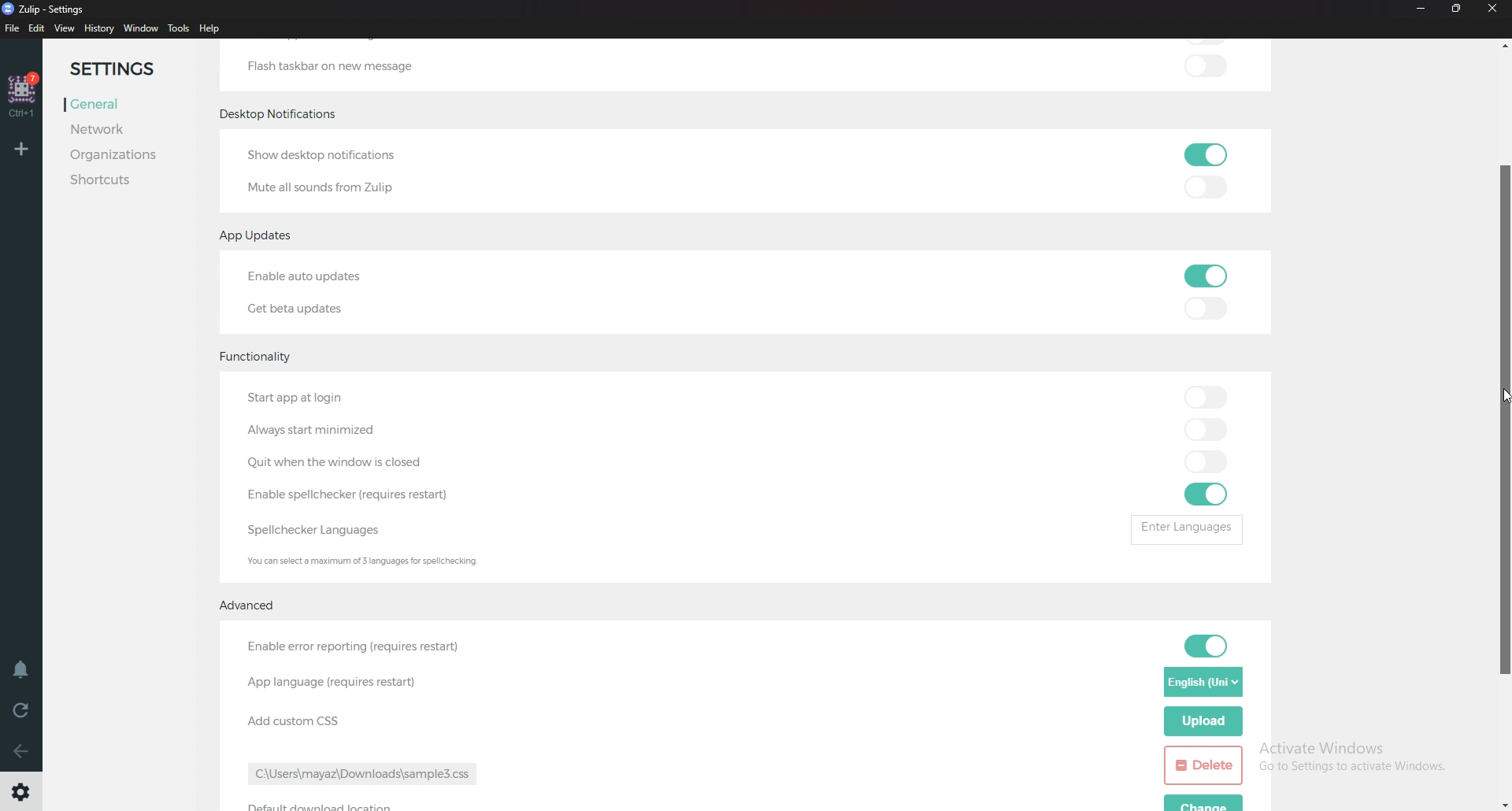 This screenshot has height=811, width=1512. Describe the element at coordinates (113, 180) in the screenshot. I see `Shortcuts` at that location.